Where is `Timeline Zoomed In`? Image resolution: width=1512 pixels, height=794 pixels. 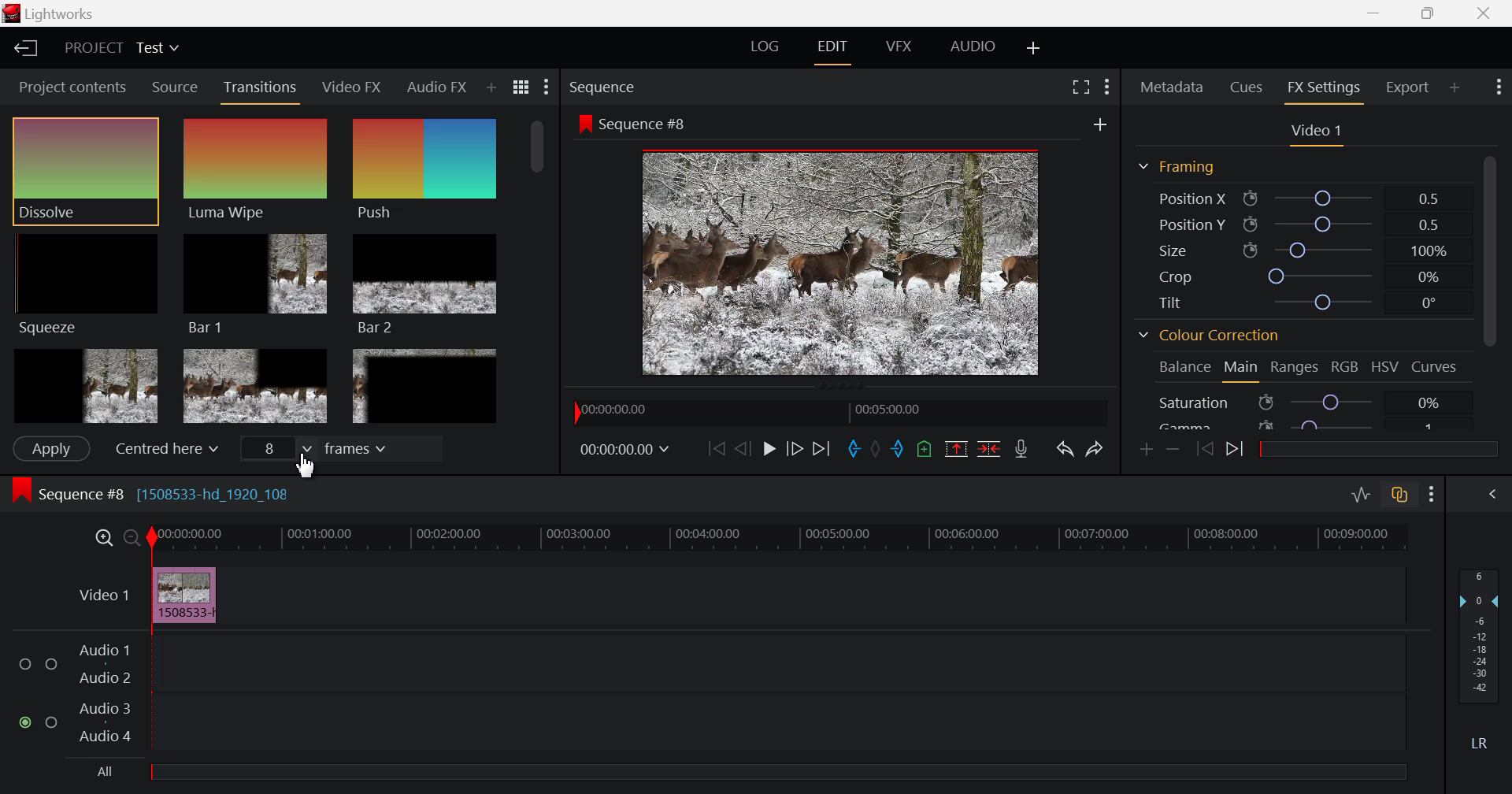
Timeline Zoomed In is located at coordinates (103, 540).